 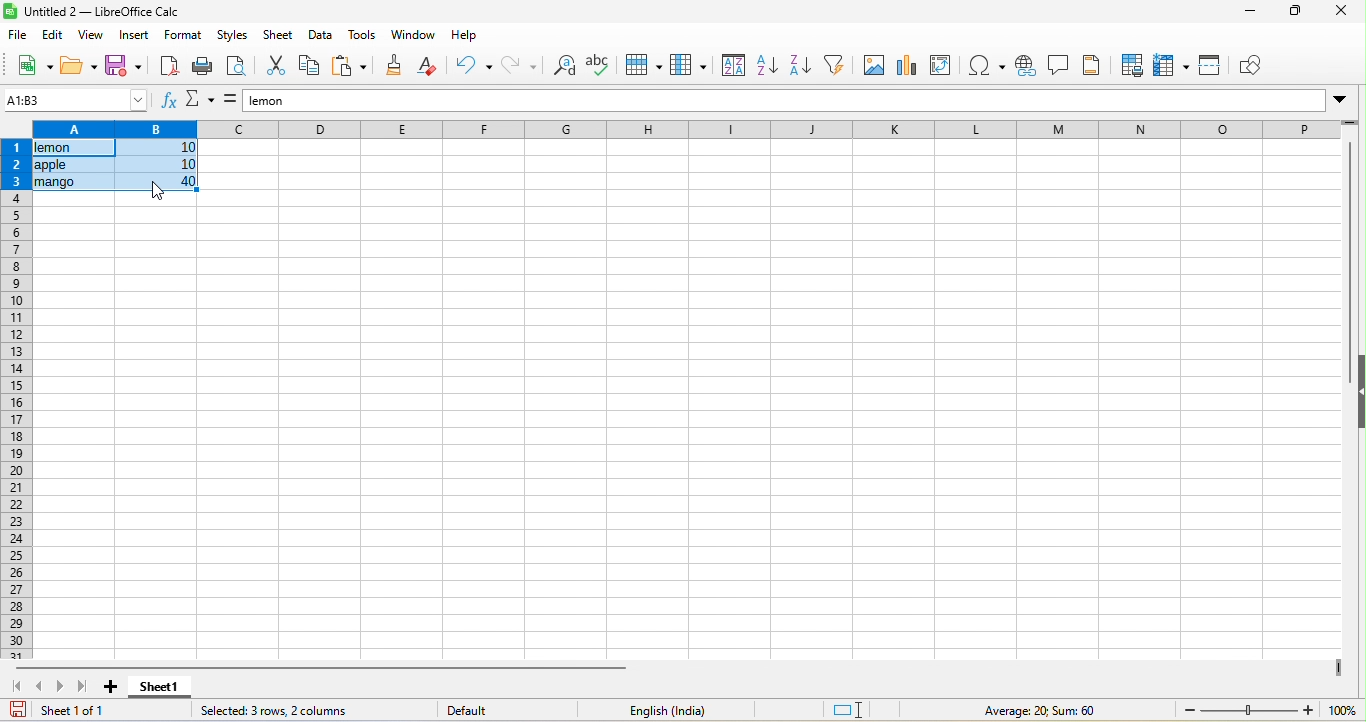 I want to click on lemon, so click(x=783, y=100).